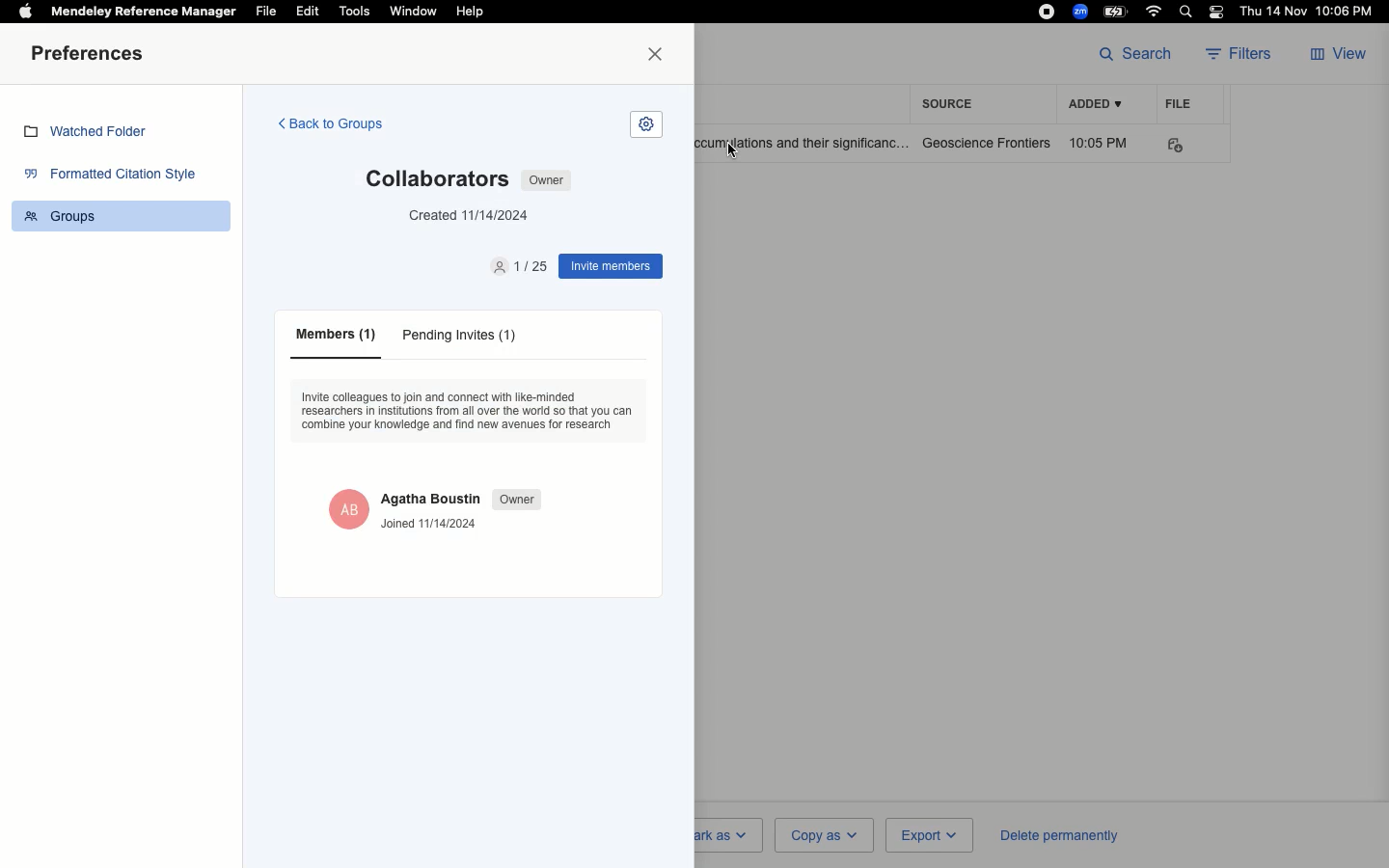 This screenshot has height=868, width=1389. What do you see at coordinates (1188, 14) in the screenshot?
I see `Search` at bounding box center [1188, 14].